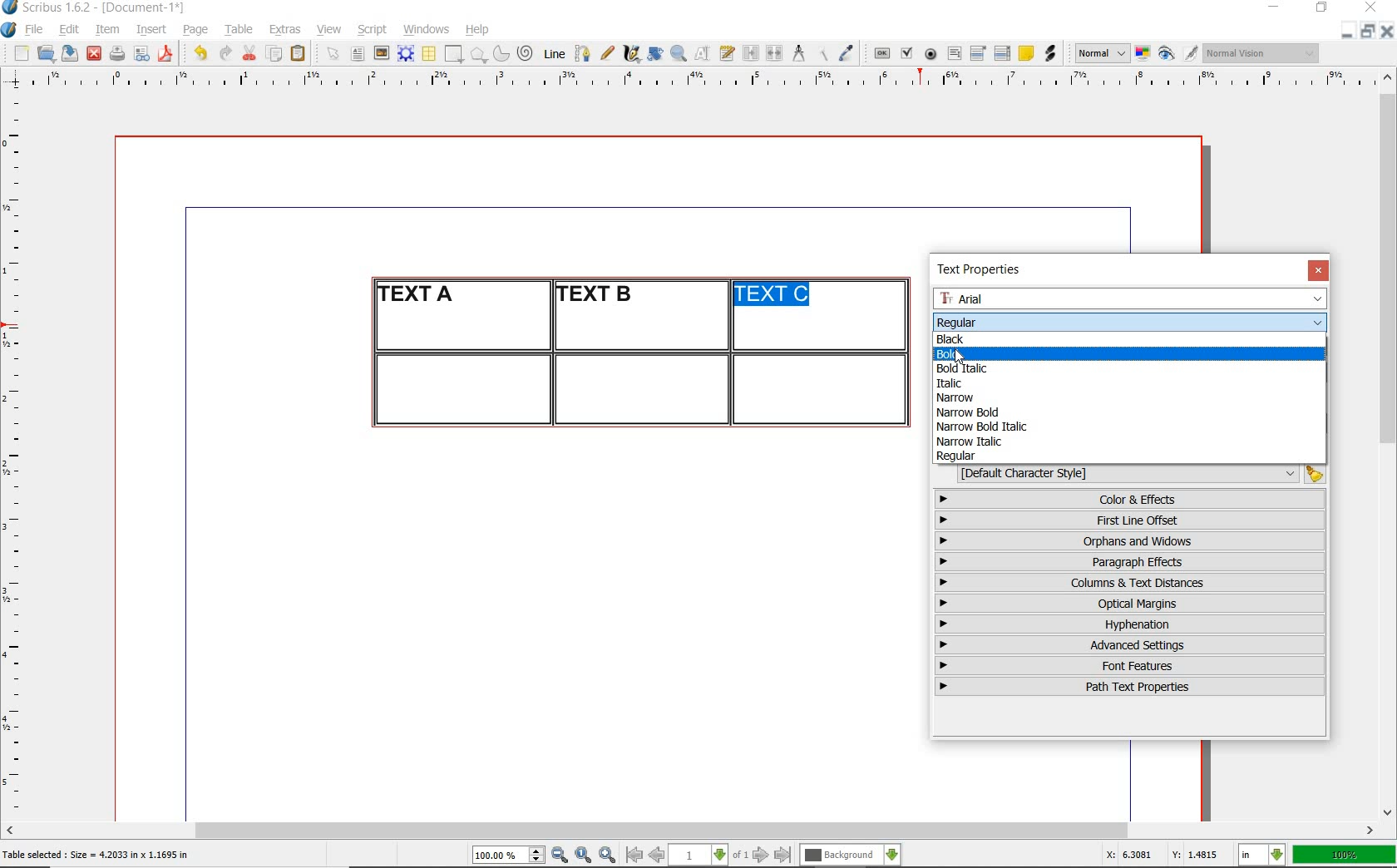 This screenshot has height=868, width=1397. What do you see at coordinates (1348, 30) in the screenshot?
I see `minimize` at bounding box center [1348, 30].